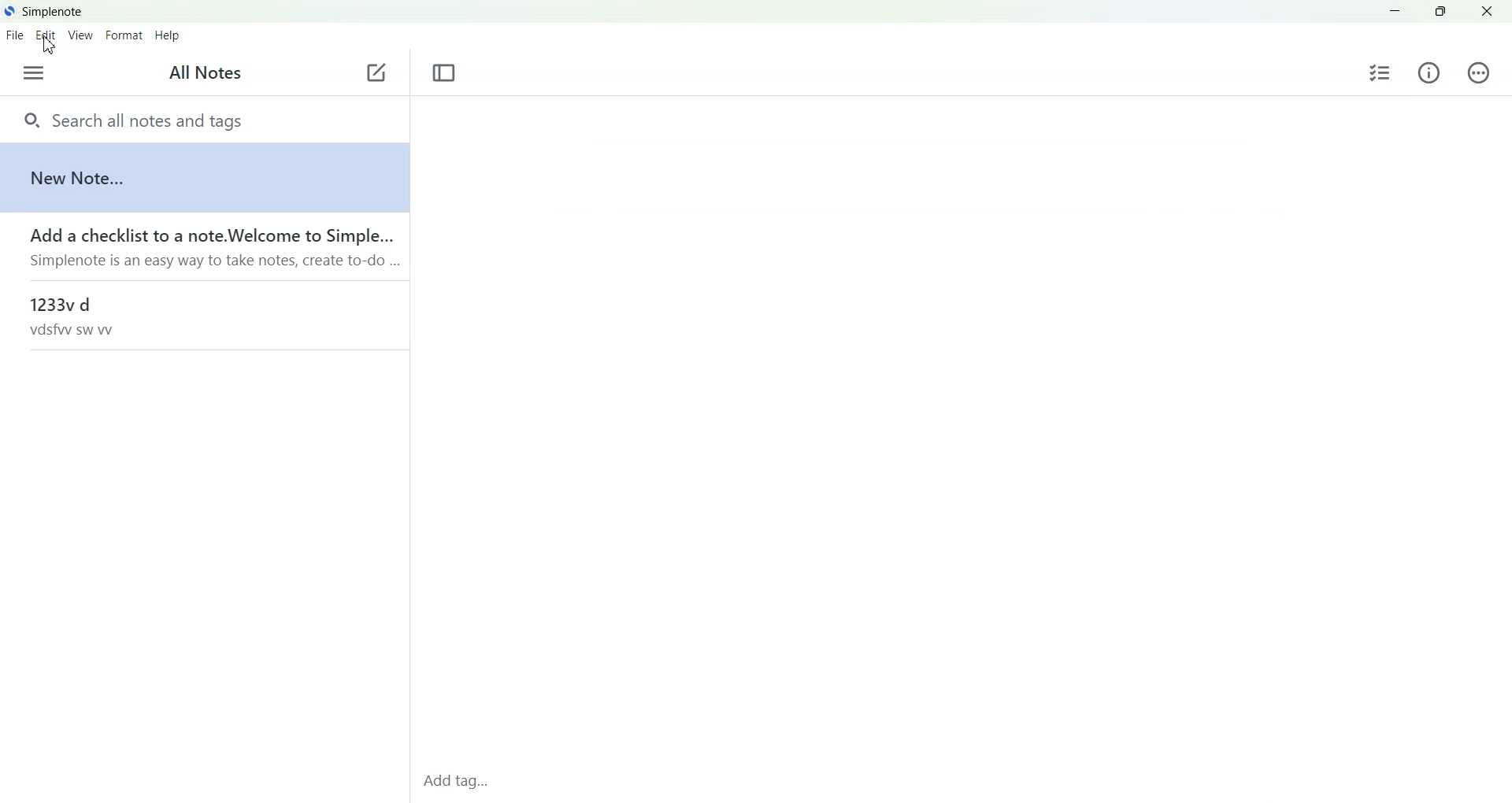 The image size is (1512, 803). What do you see at coordinates (1442, 12) in the screenshot?
I see `Maximize` at bounding box center [1442, 12].